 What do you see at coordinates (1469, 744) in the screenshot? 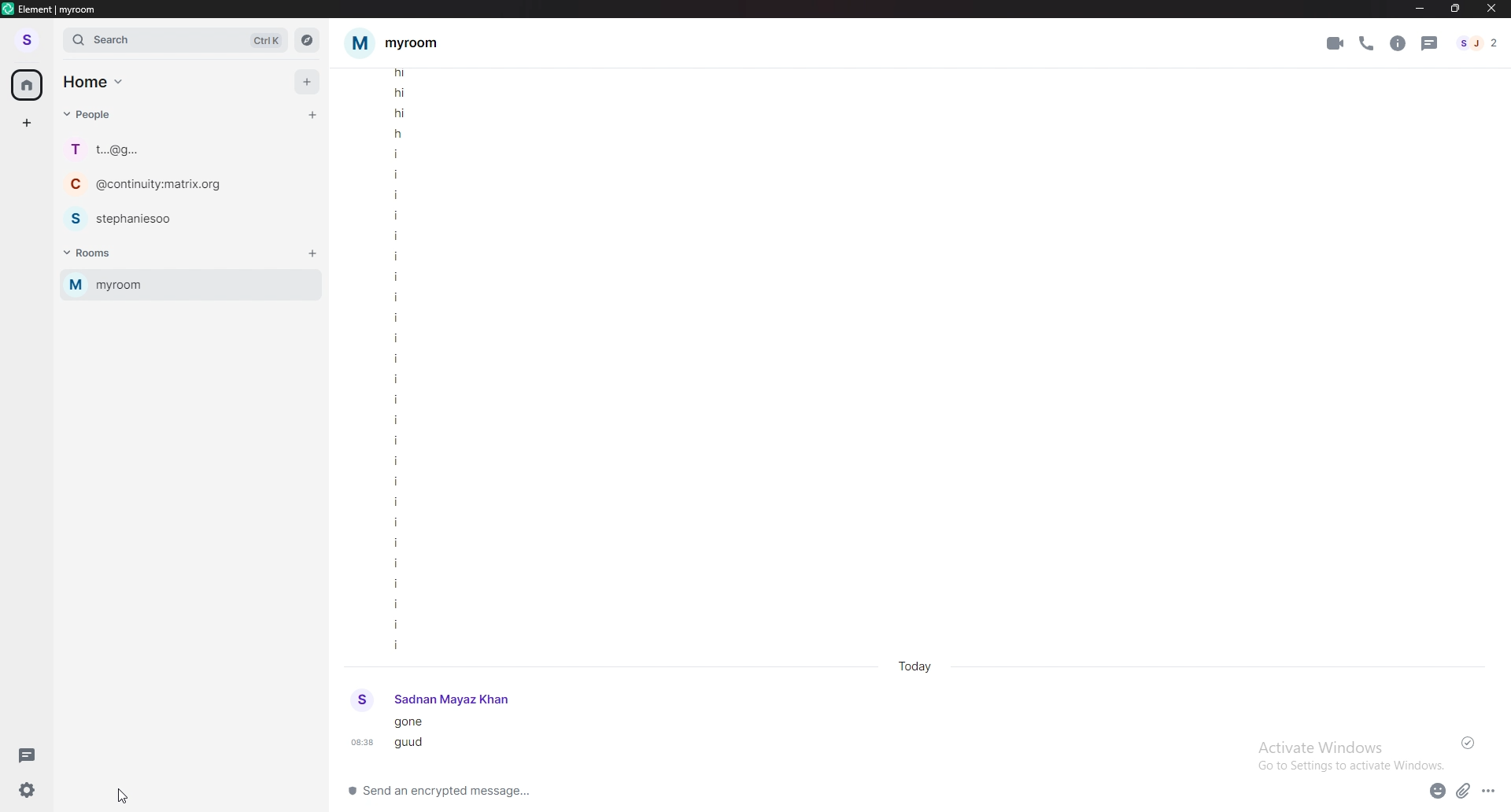
I see `delivered` at bounding box center [1469, 744].